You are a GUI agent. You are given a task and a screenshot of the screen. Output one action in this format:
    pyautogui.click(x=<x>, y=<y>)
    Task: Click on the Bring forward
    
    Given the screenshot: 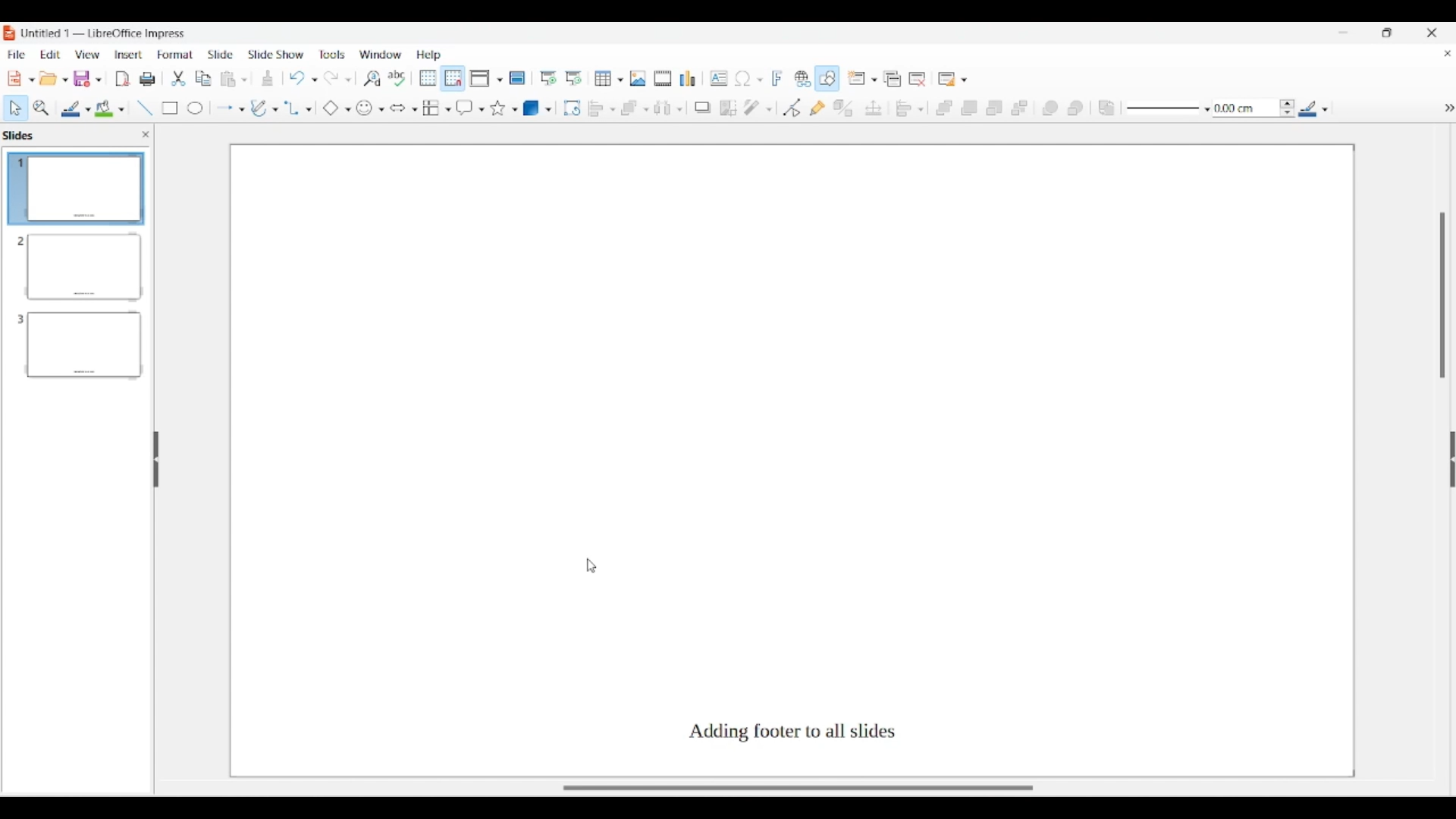 What is the action you would take?
    pyautogui.click(x=970, y=108)
    